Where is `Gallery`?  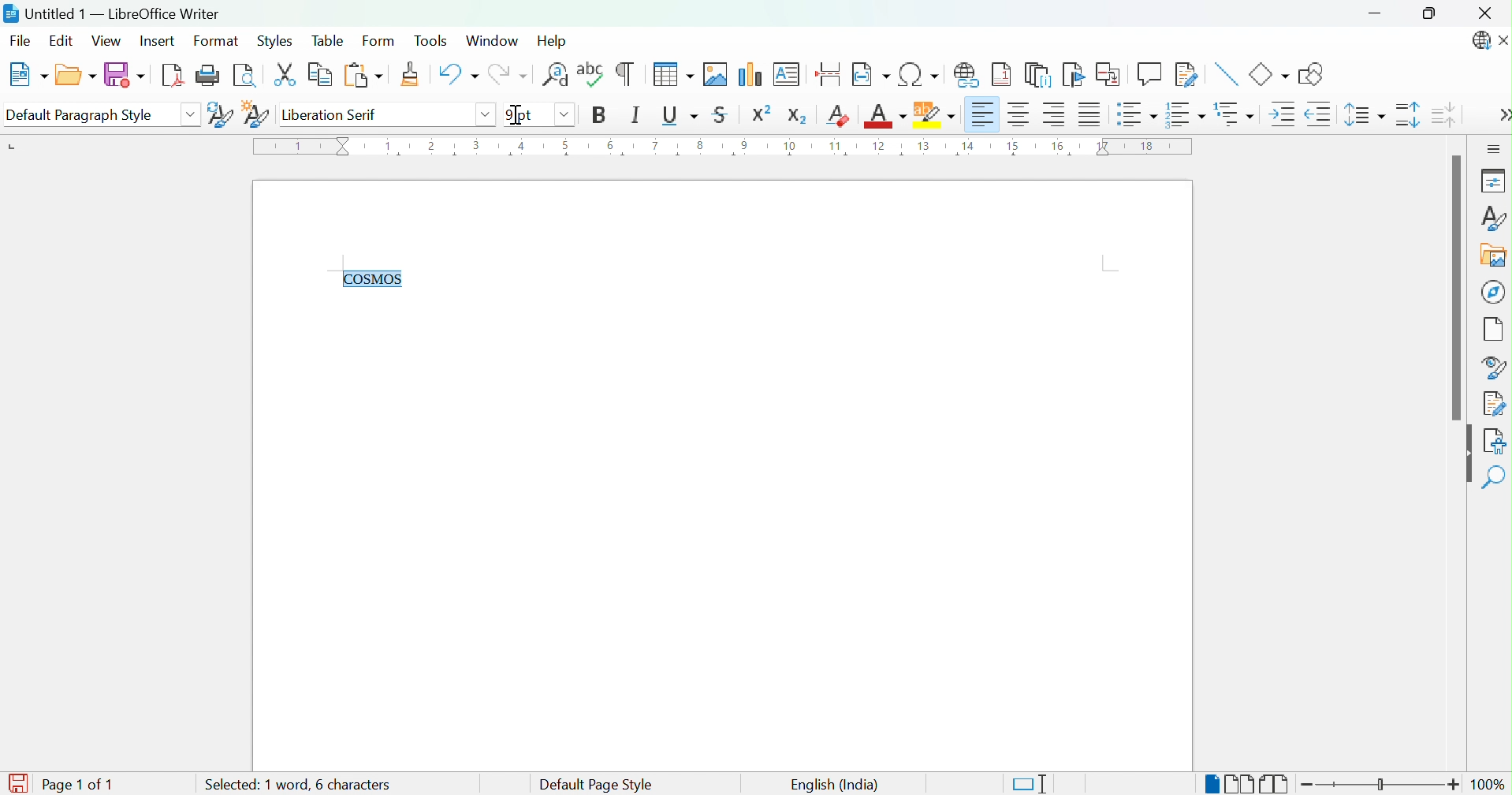 Gallery is located at coordinates (1492, 257).